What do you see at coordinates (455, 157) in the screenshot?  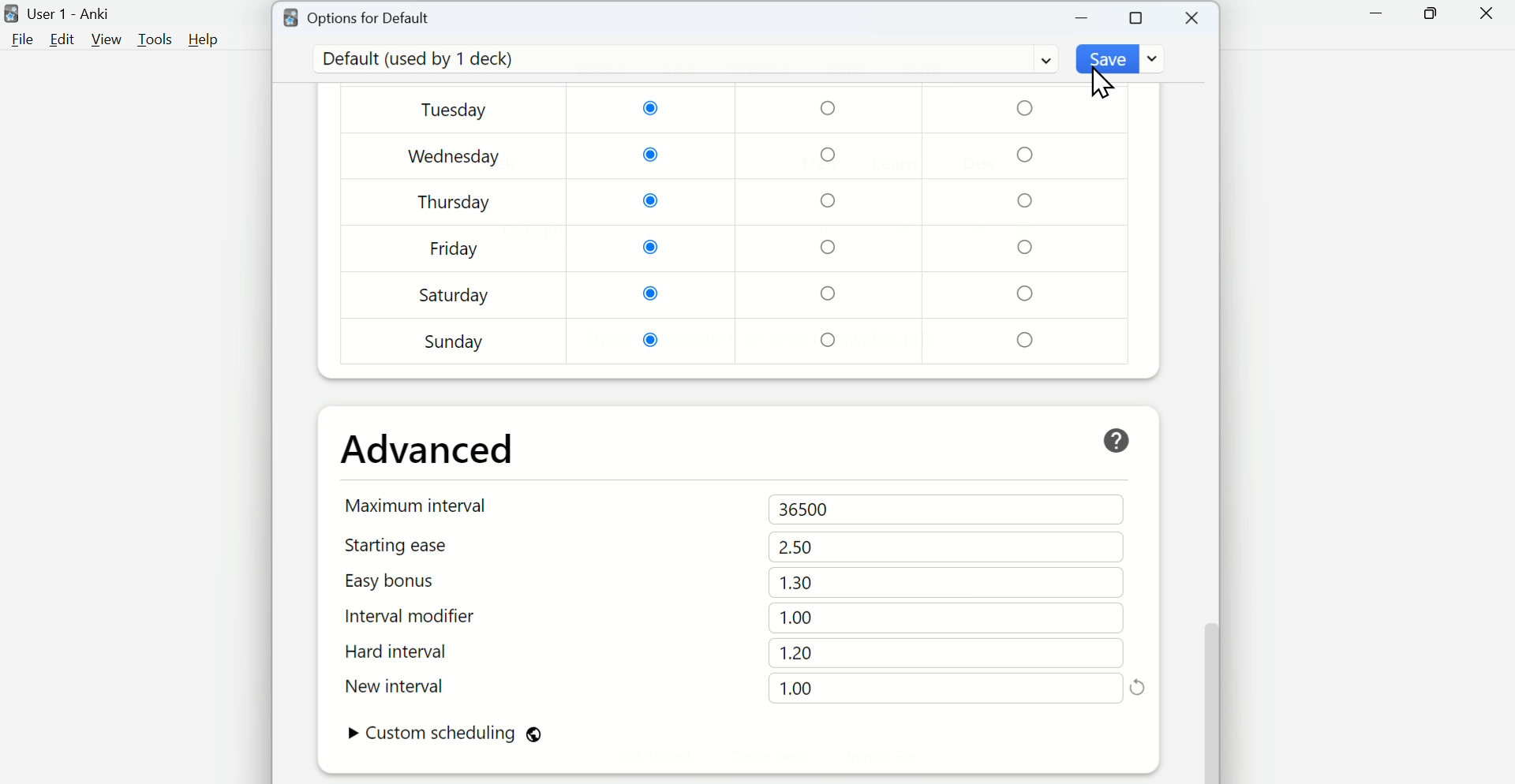 I see `Wednesday` at bounding box center [455, 157].